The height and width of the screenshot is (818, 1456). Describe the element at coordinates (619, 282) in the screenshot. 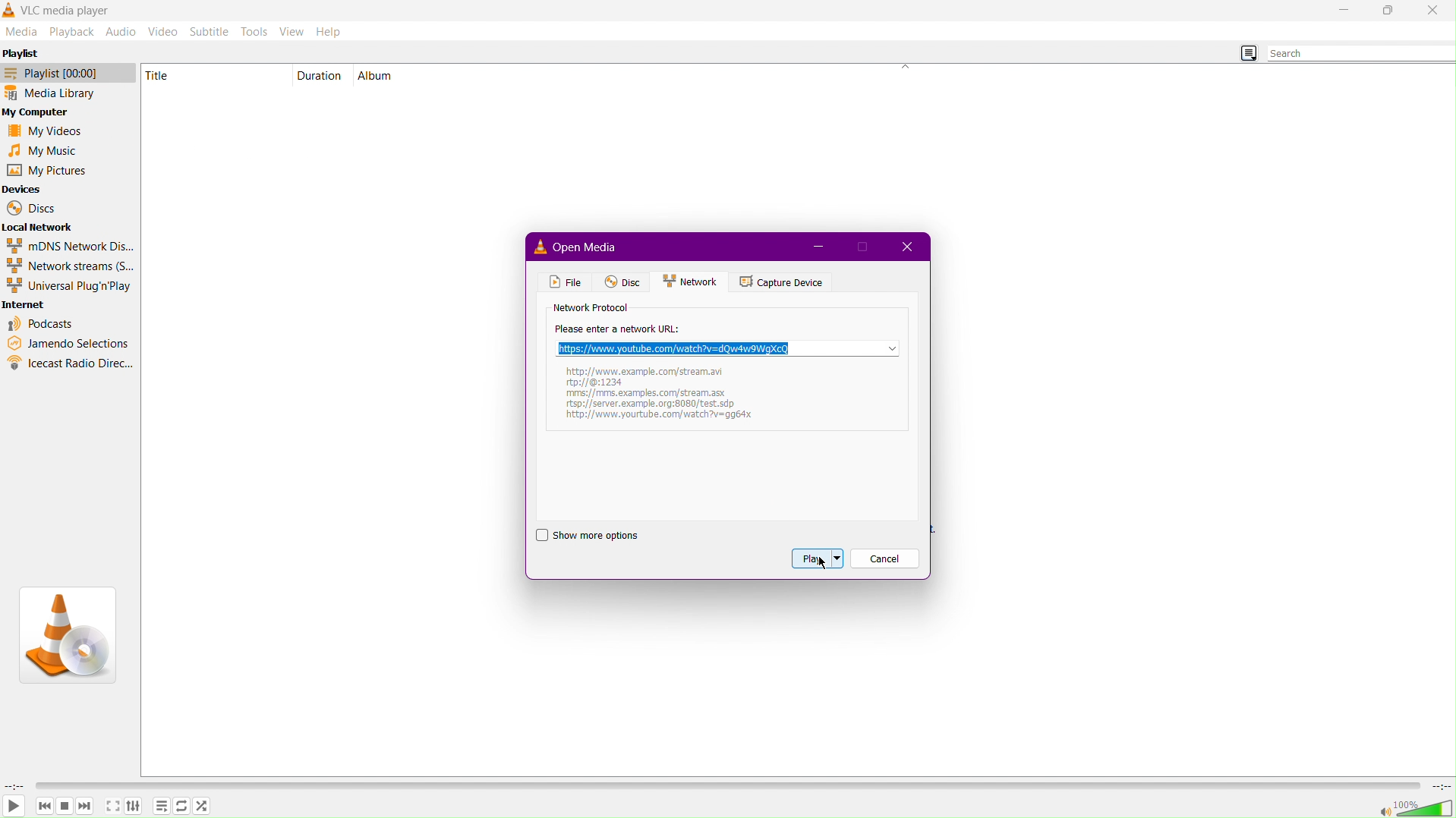

I see `Disc` at that location.